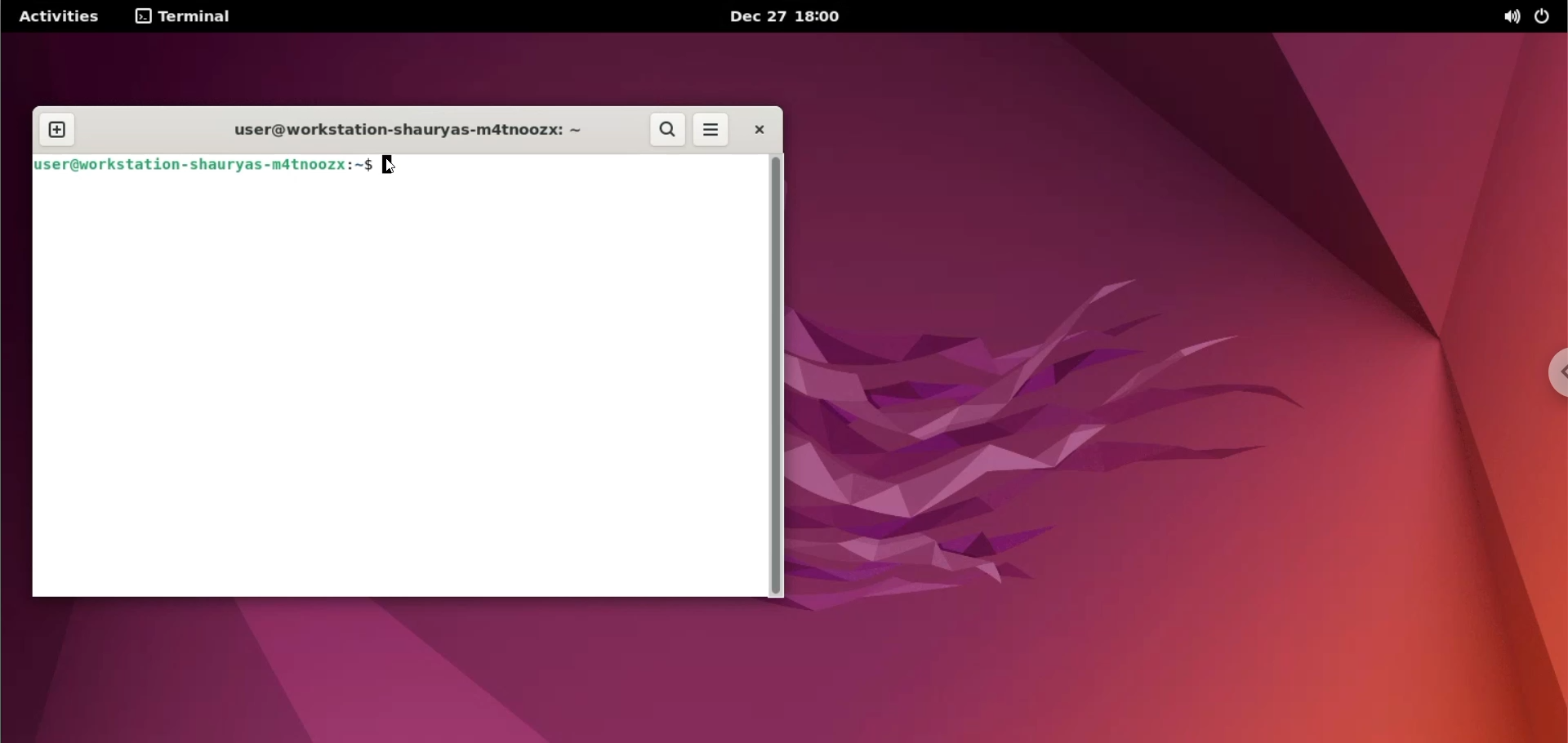 The height and width of the screenshot is (743, 1568). Describe the element at coordinates (57, 130) in the screenshot. I see `new tab` at that location.